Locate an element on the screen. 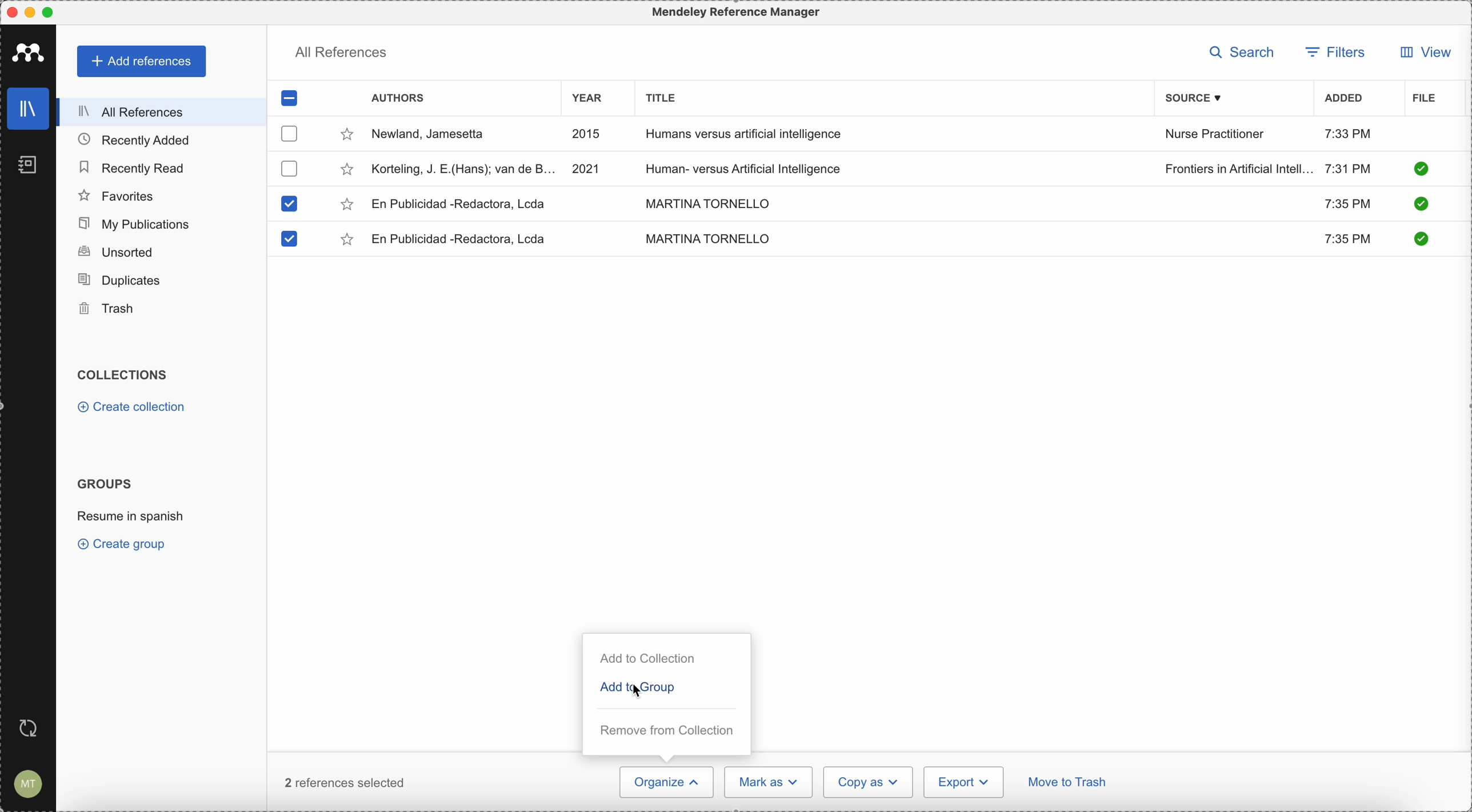 This screenshot has height=812, width=1472. checkbox is located at coordinates (287, 168).